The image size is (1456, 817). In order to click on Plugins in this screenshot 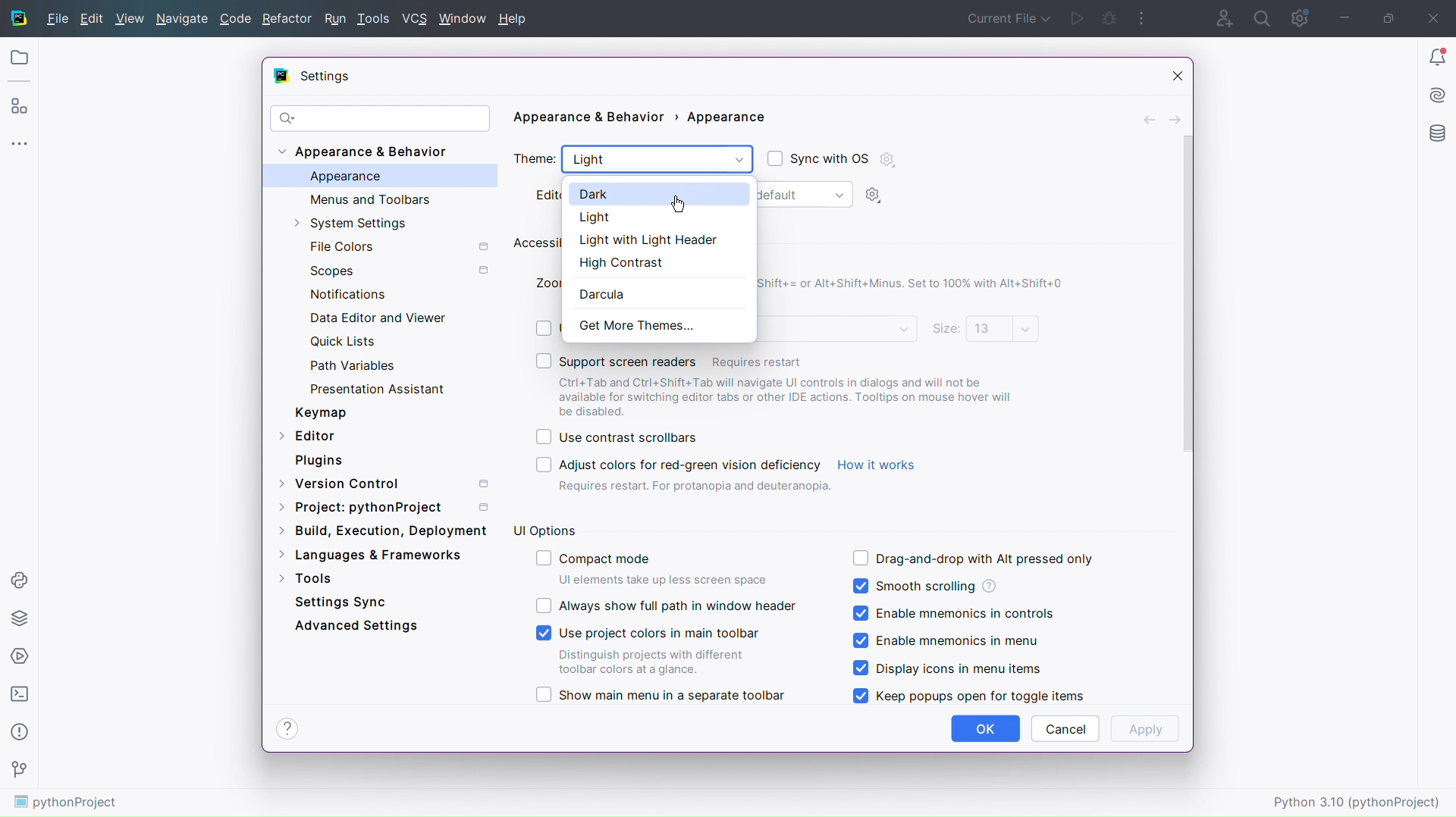, I will do `click(319, 460)`.